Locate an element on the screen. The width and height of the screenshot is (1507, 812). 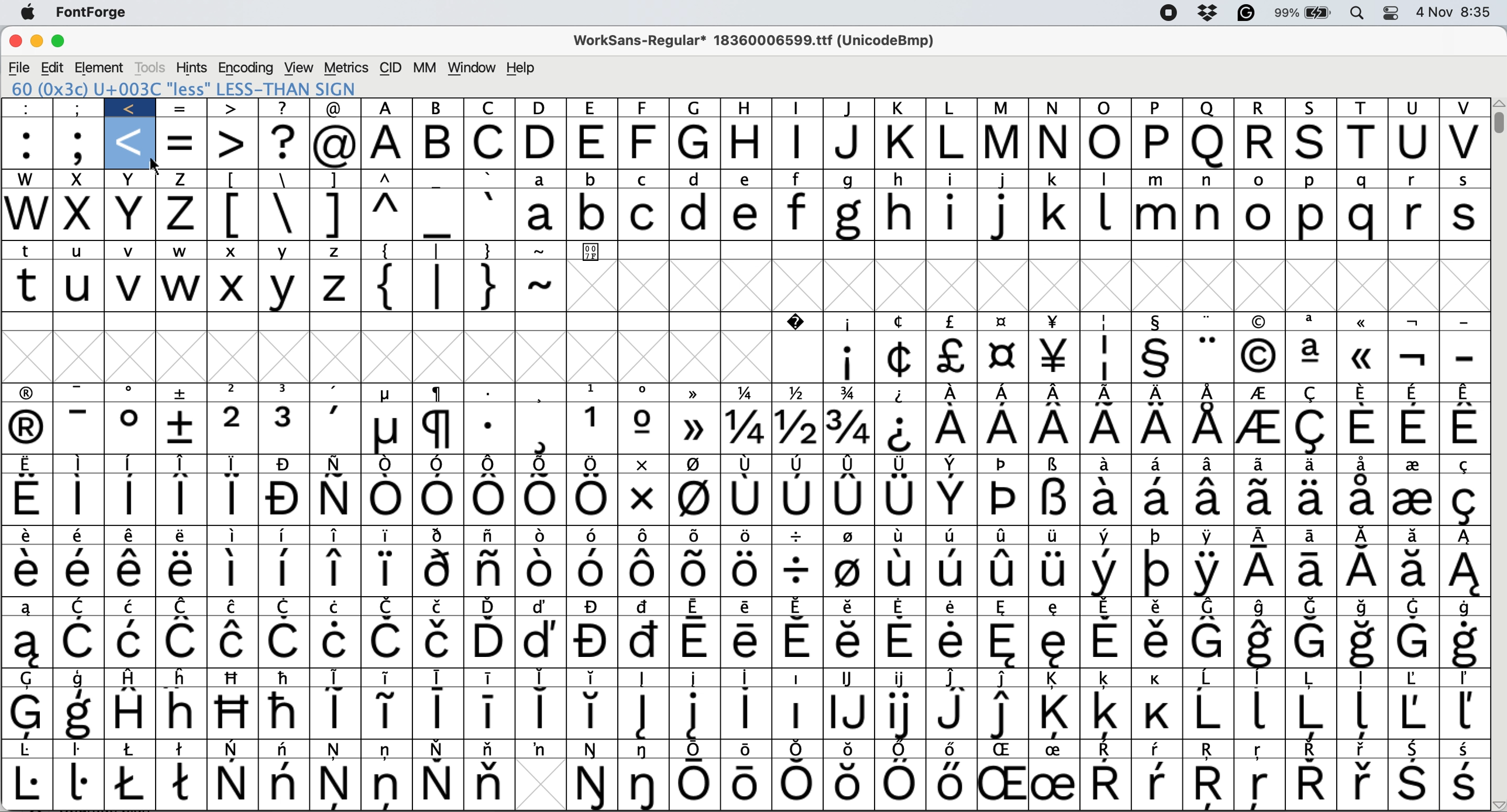
Symbol is located at coordinates (1158, 608).